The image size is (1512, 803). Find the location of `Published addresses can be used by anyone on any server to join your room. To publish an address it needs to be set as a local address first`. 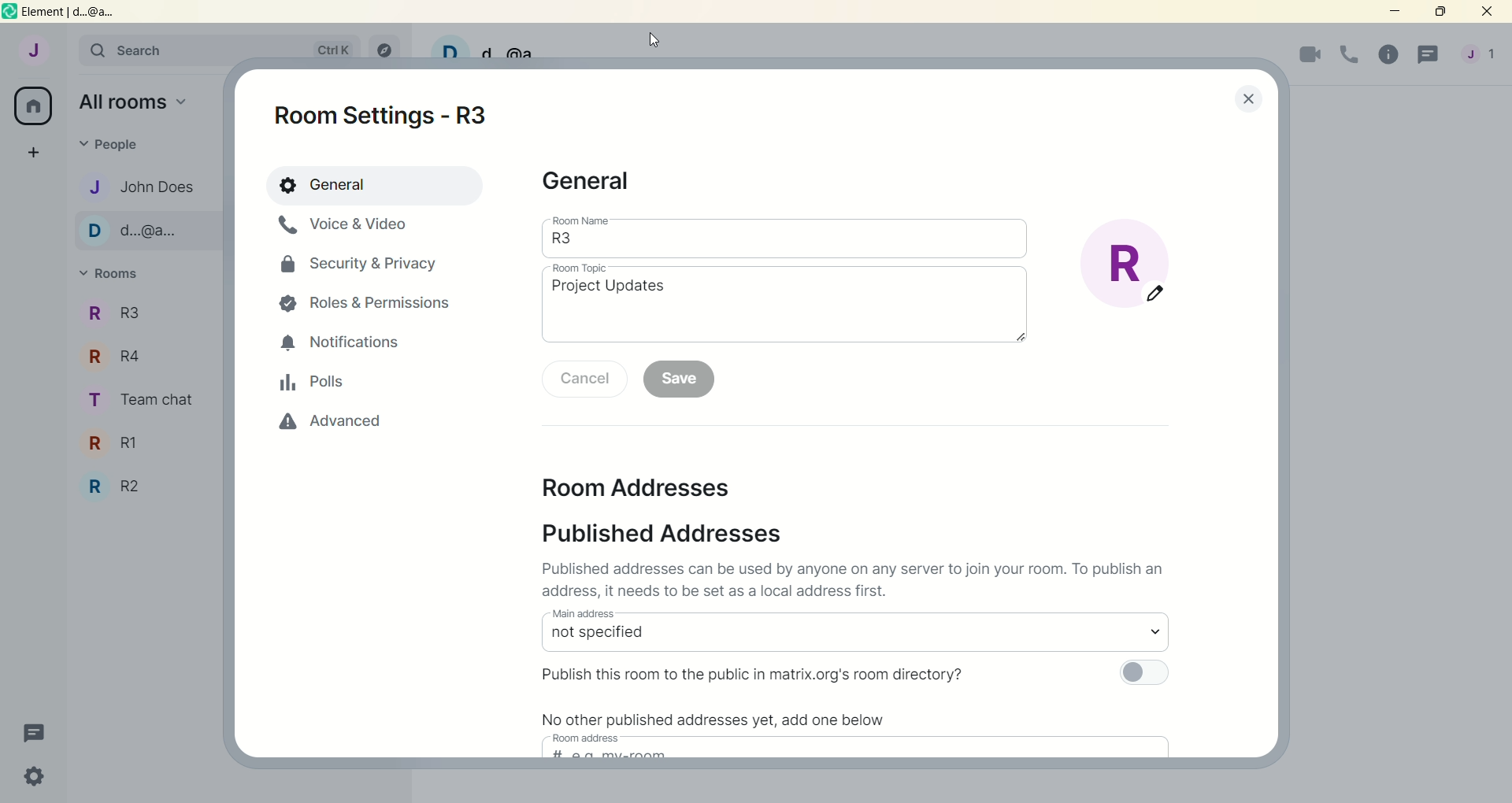

Published addresses can be used by anyone on any server to join your room. To publish an address it needs to be set as a local address first is located at coordinates (861, 579).